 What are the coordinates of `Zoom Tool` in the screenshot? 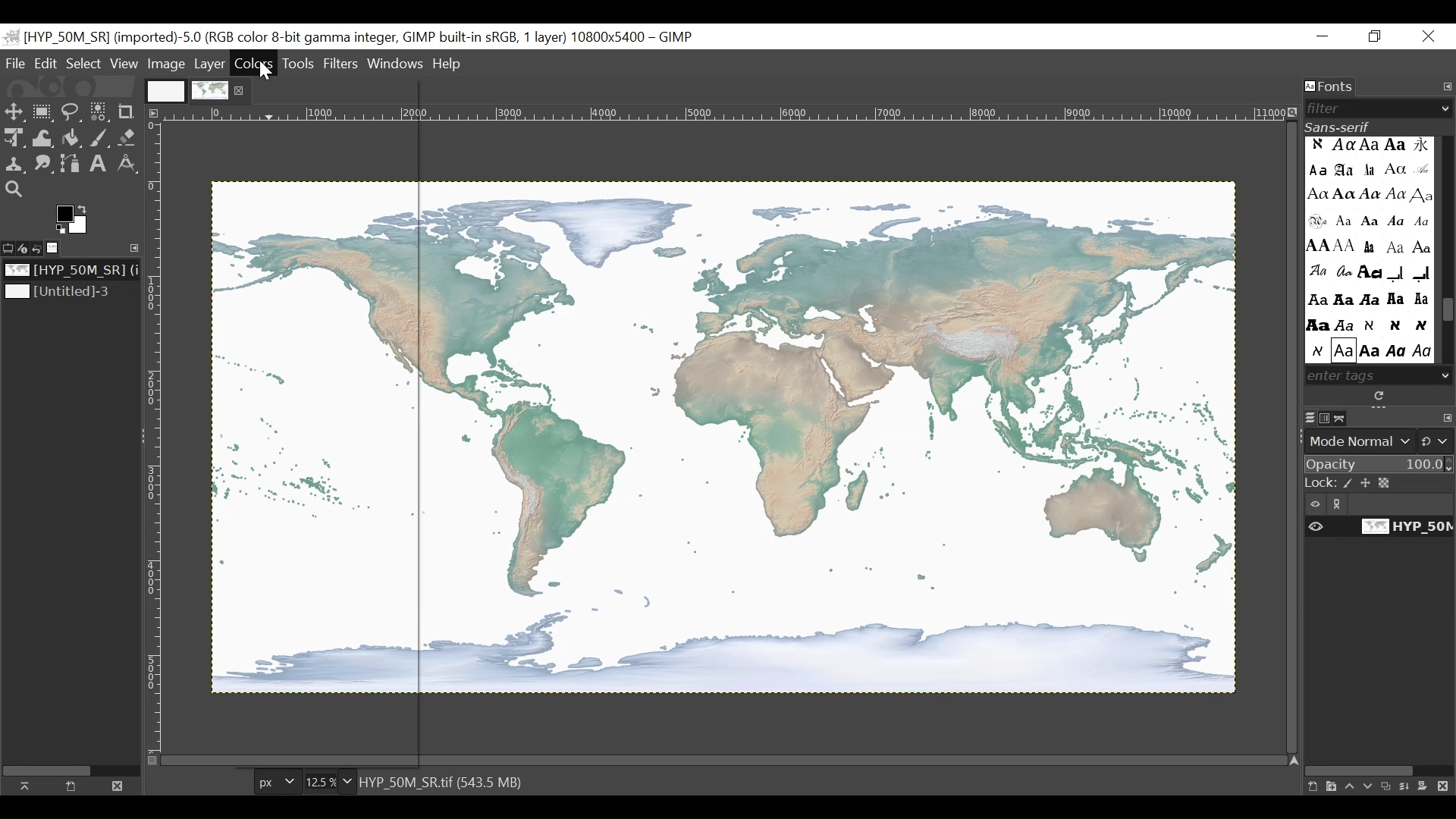 It's located at (15, 190).